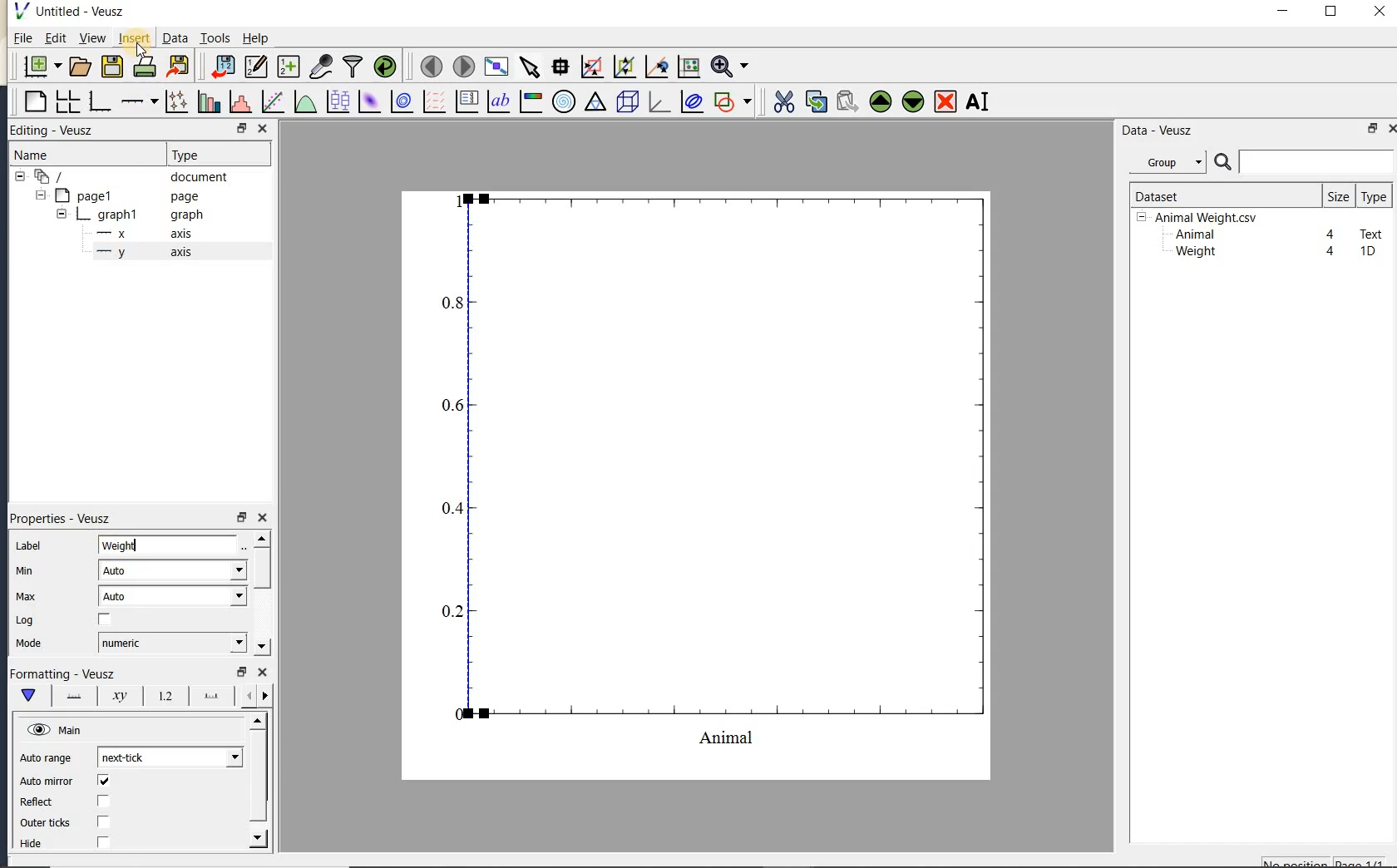 This screenshot has width=1397, height=868. I want to click on 4, so click(1331, 252).